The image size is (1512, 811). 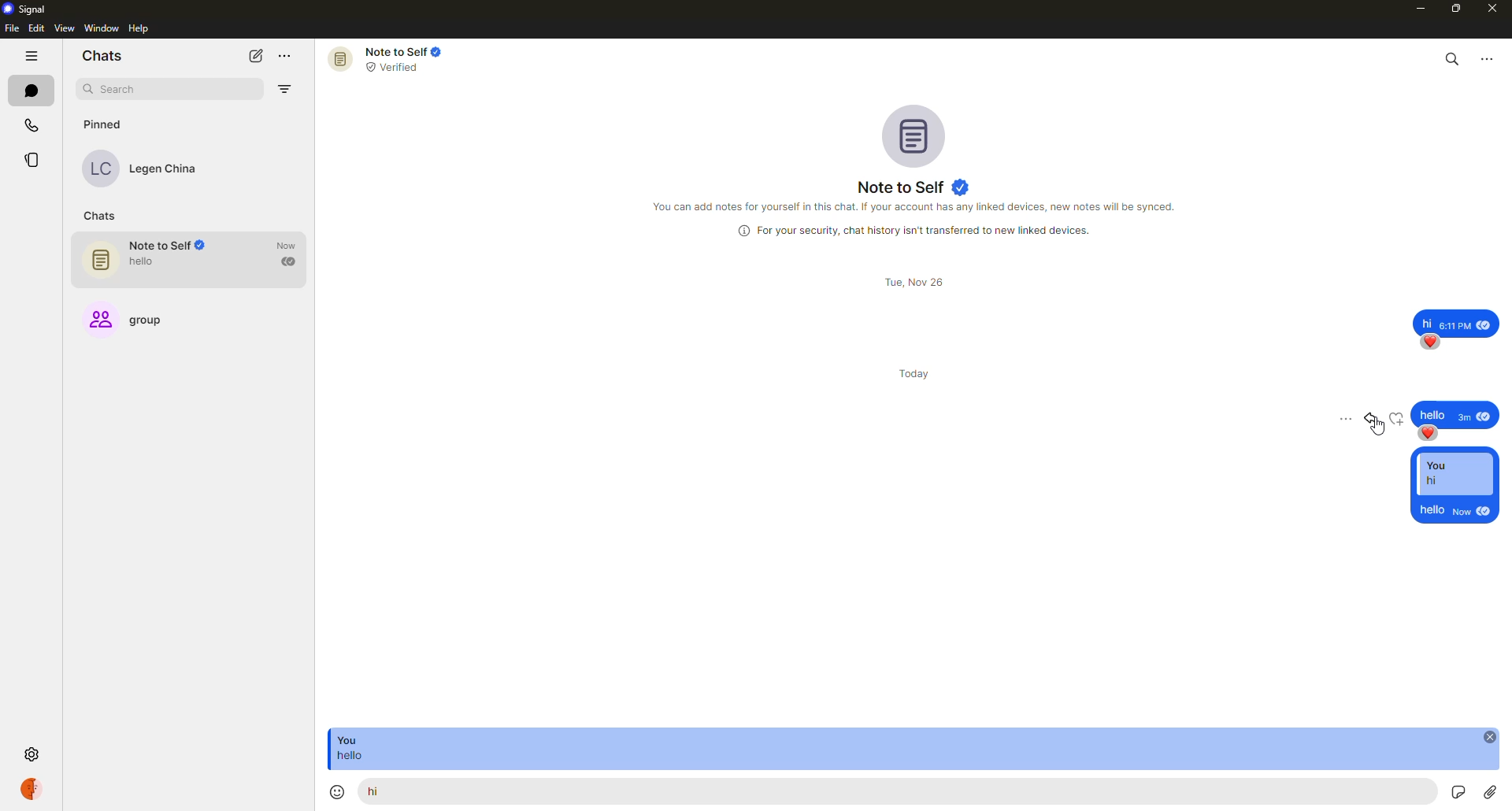 I want to click on message reply, so click(x=439, y=746).